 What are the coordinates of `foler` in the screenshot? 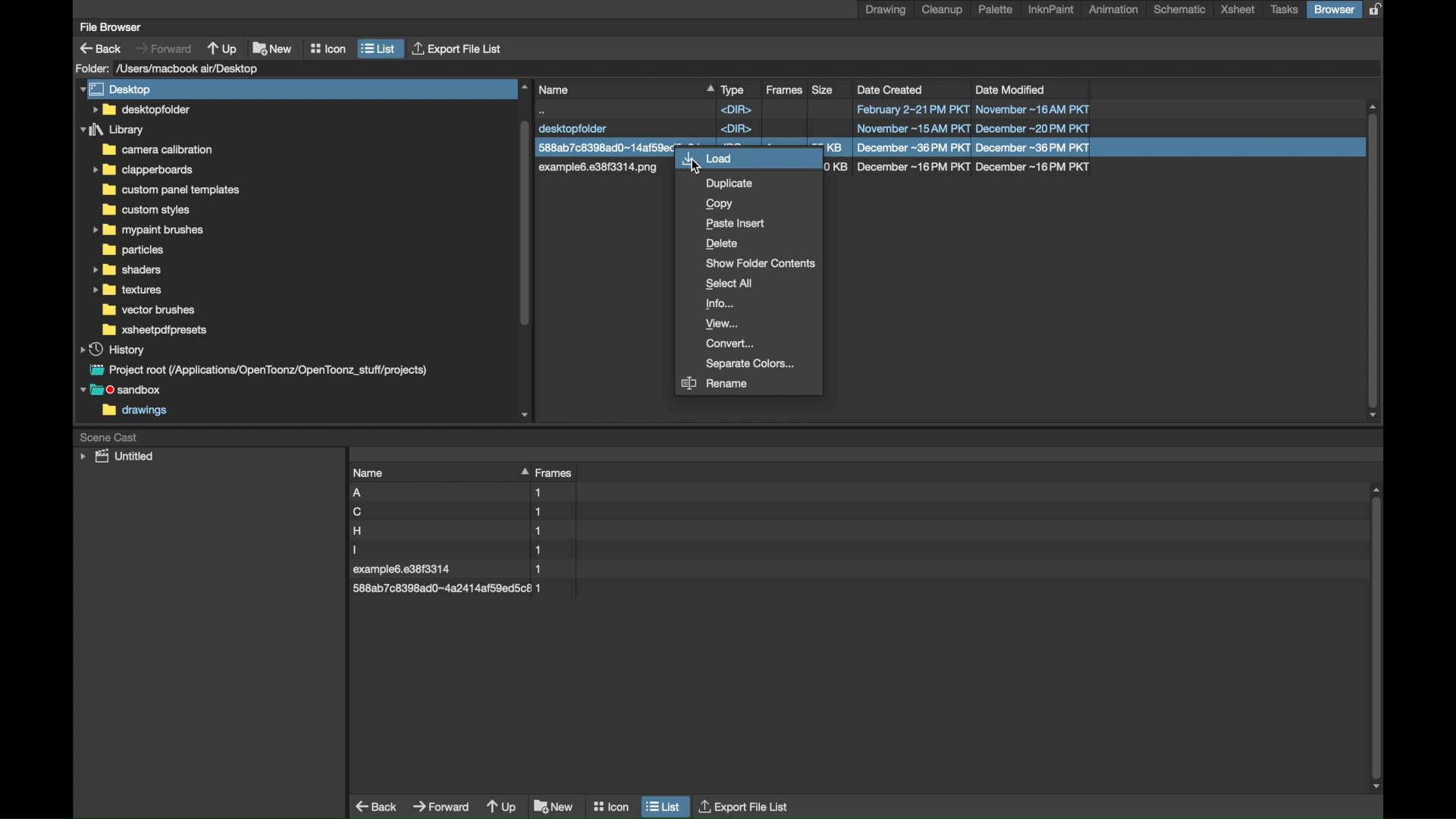 It's located at (155, 330).